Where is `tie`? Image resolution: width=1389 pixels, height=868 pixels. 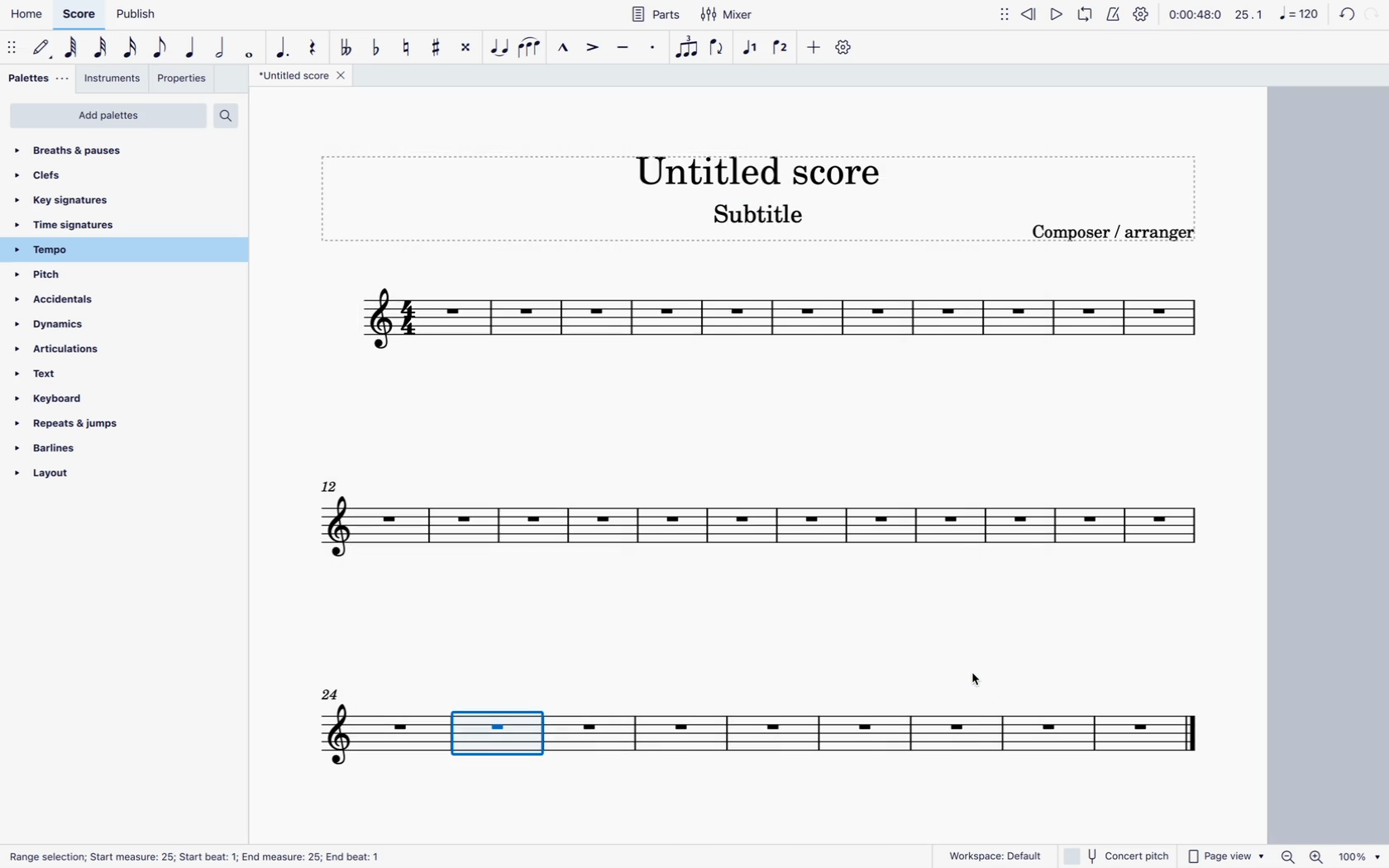 tie is located at coordinates (499, 46).